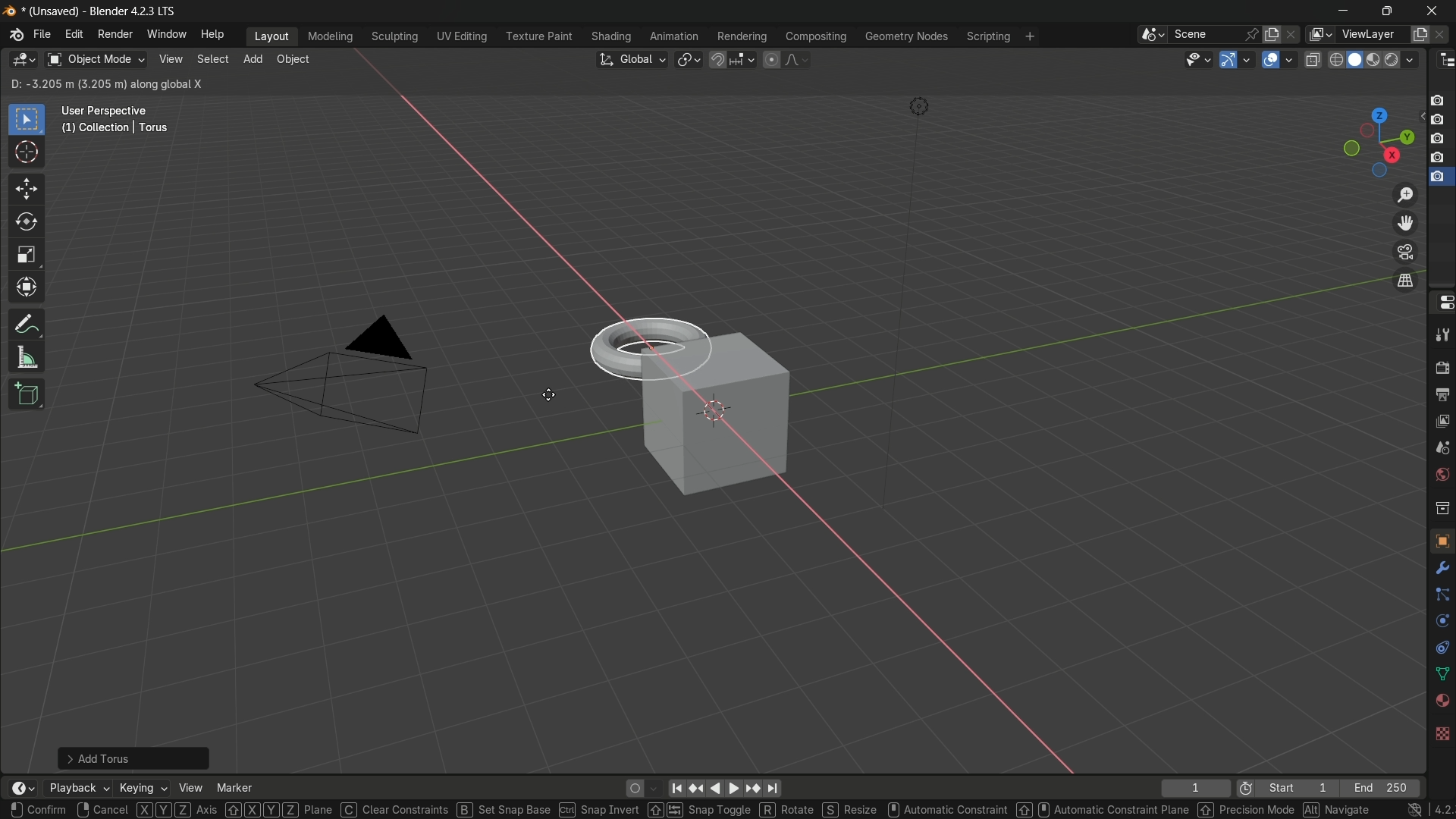 Image resolution: width=1456 pixels, height=819 pixels. I want to click on proportional editing object, so click(770, 59).